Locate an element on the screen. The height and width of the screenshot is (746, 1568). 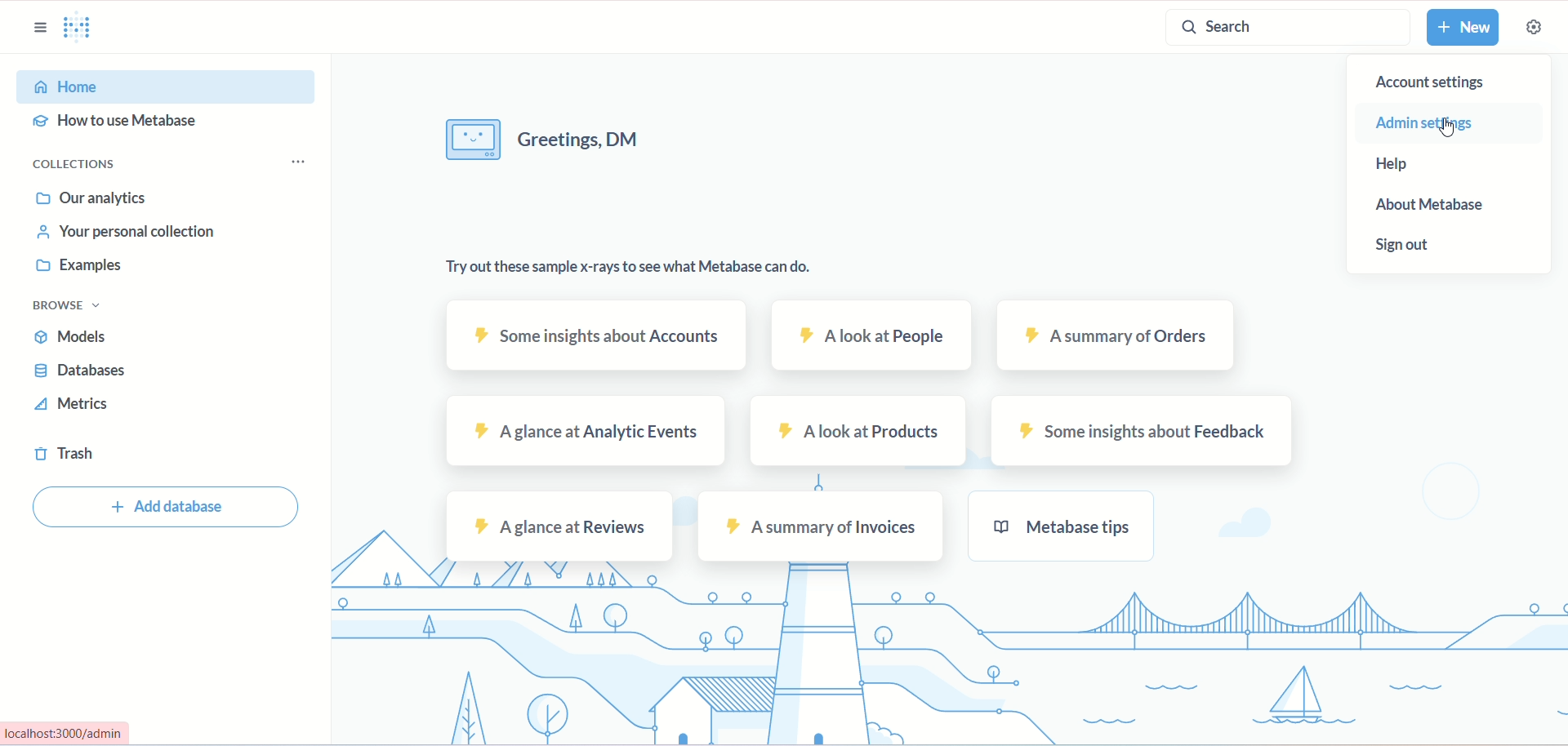
orders is located at coordinates (1116, 335).